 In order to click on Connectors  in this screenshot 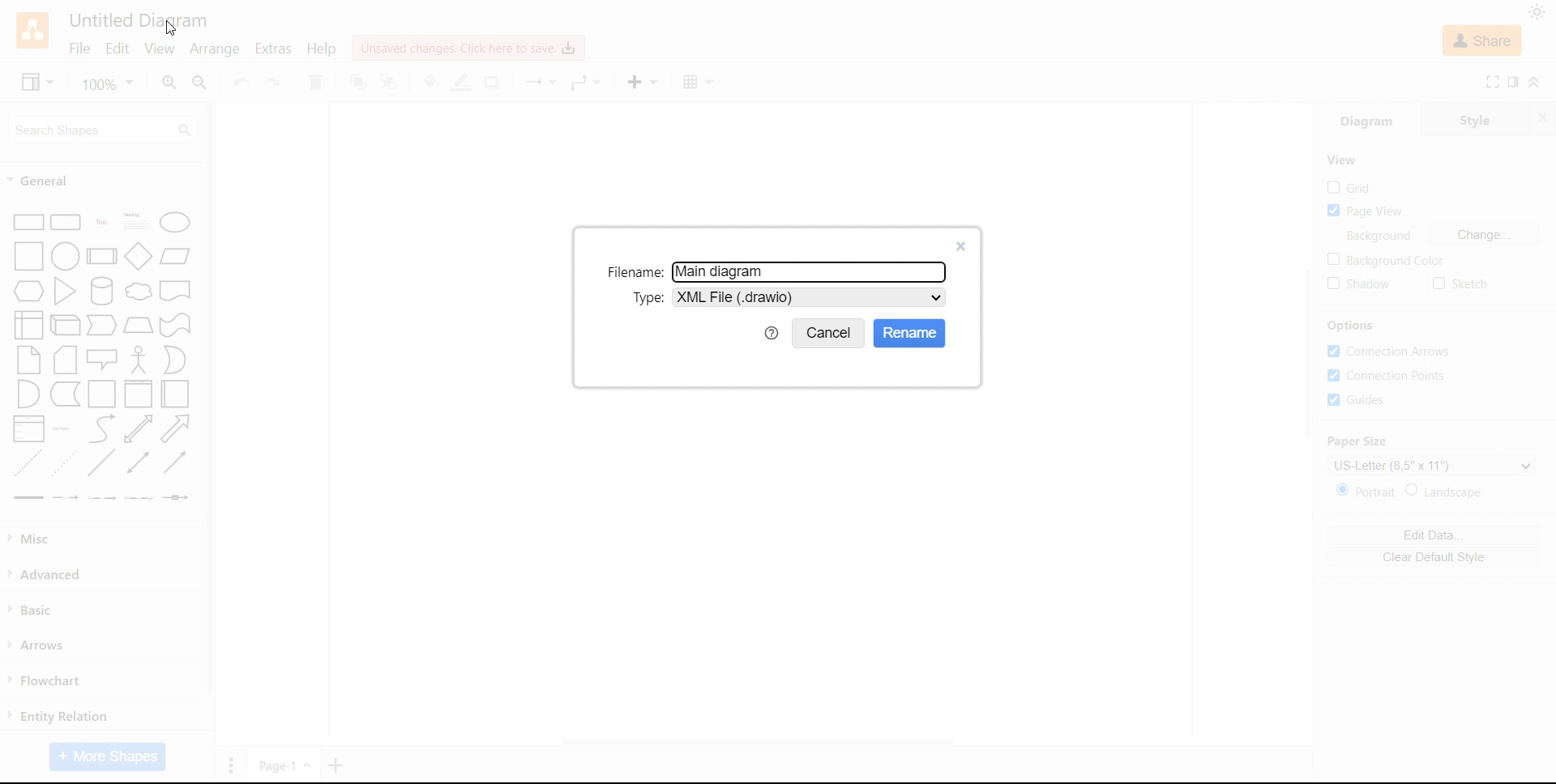, I will do `click(538, 83)`.